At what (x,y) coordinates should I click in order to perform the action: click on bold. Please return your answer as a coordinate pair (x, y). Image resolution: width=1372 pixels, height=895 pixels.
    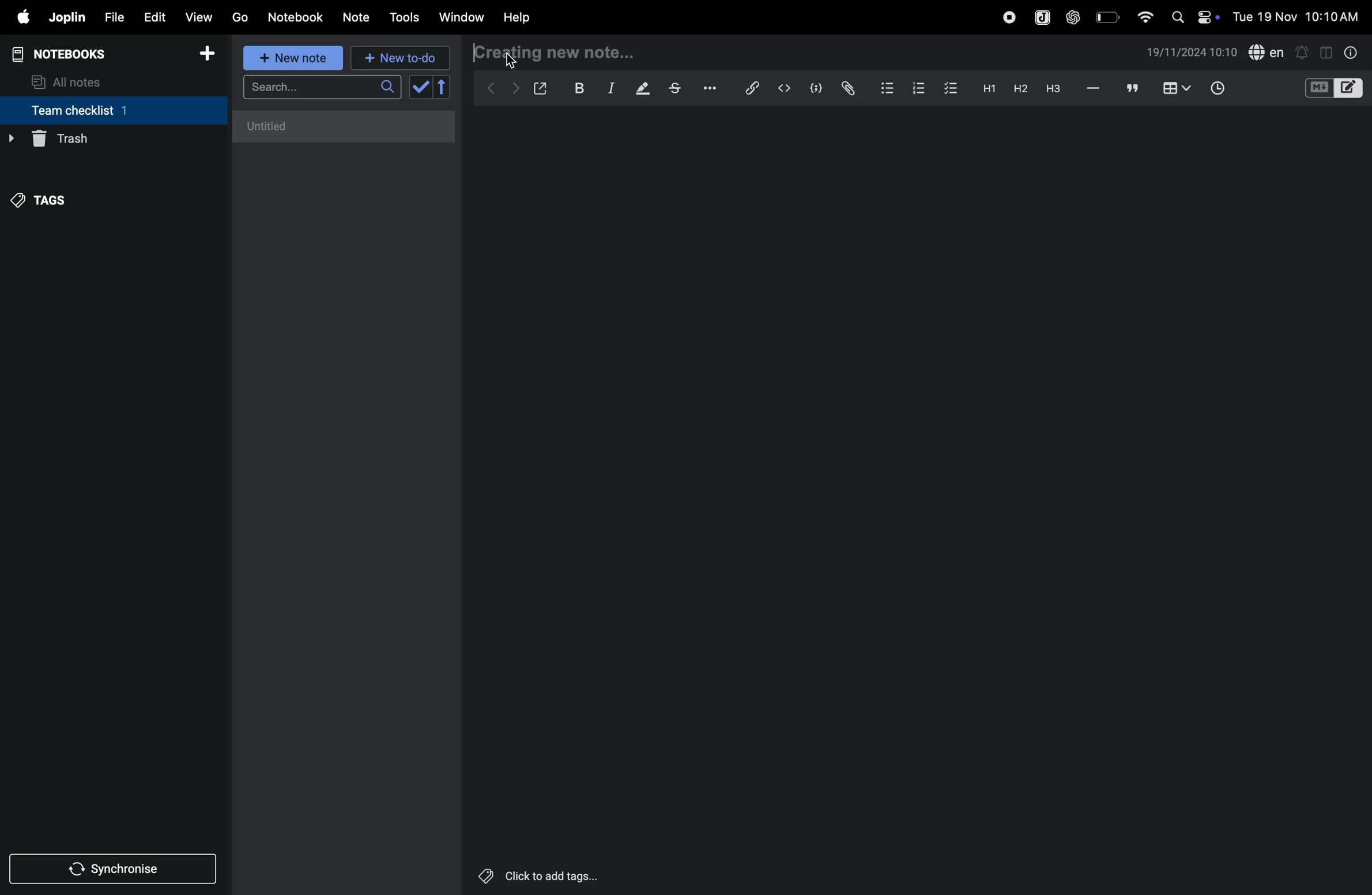
    Looking at the image, I should click on (578, 87).